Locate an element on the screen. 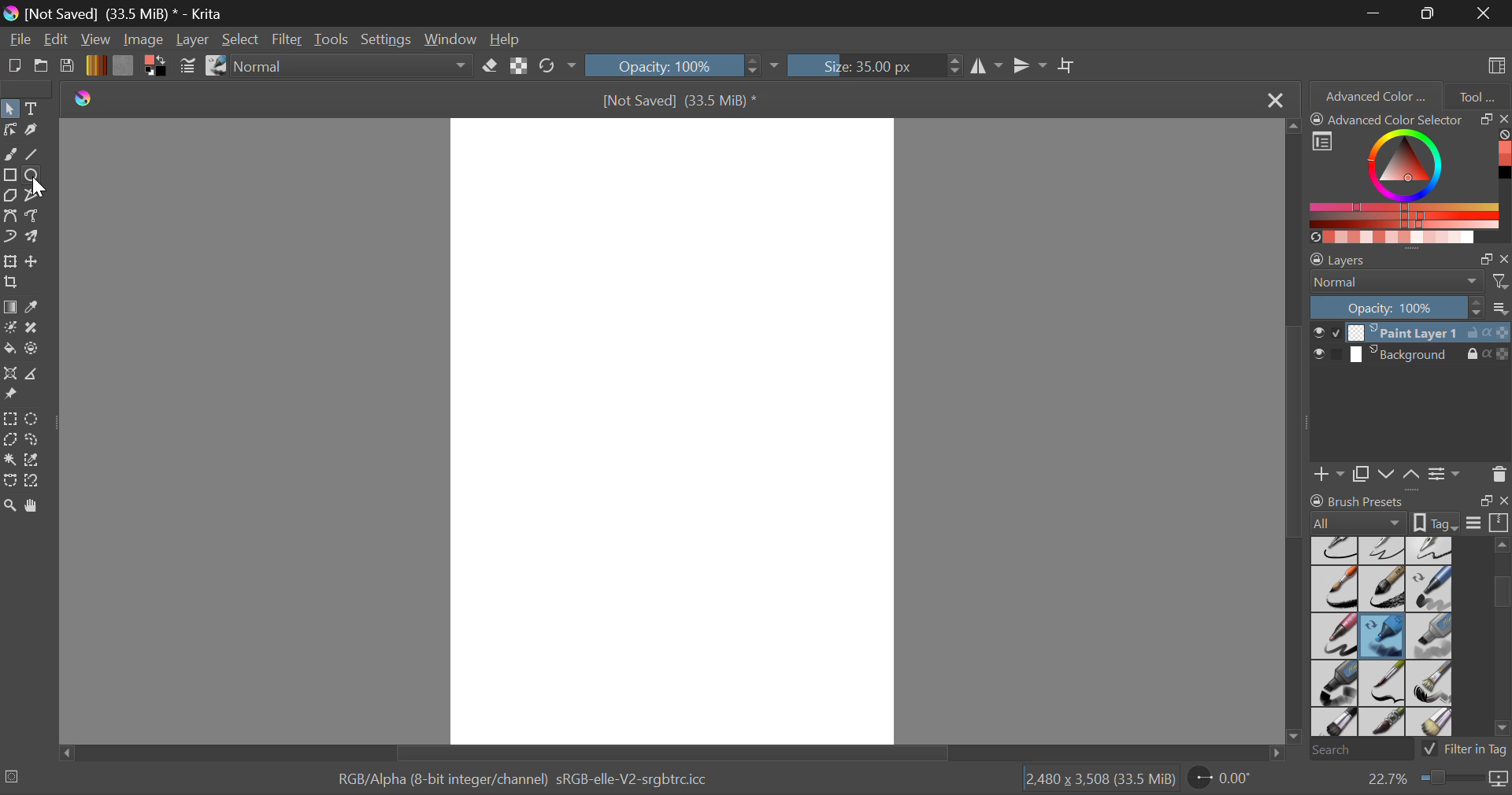 This screenshot has height=795, width=1512. Search is located at coordinates (1357, 751).